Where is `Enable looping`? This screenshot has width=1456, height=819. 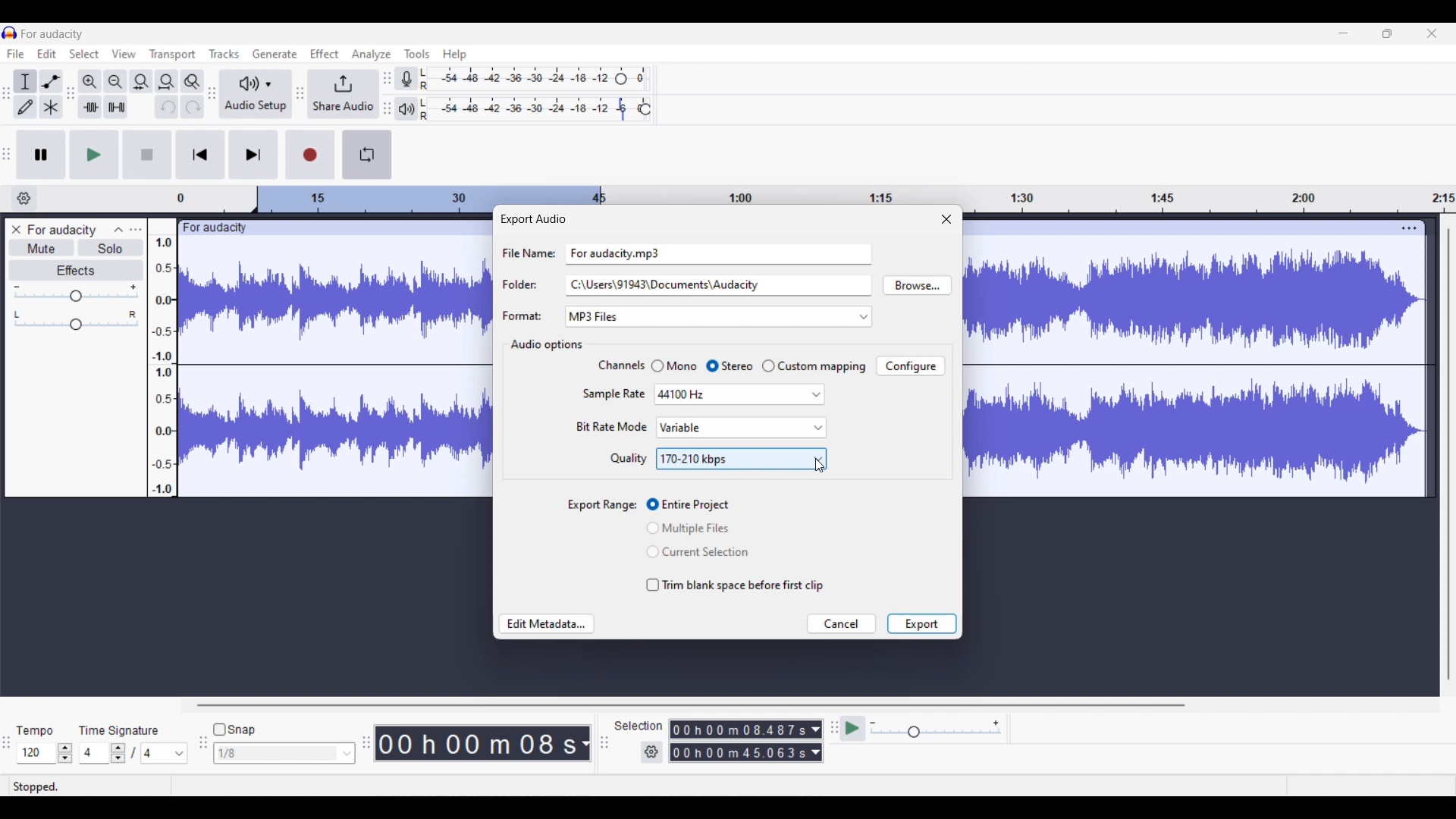
Enable looping is located at coordinates (366, 155).